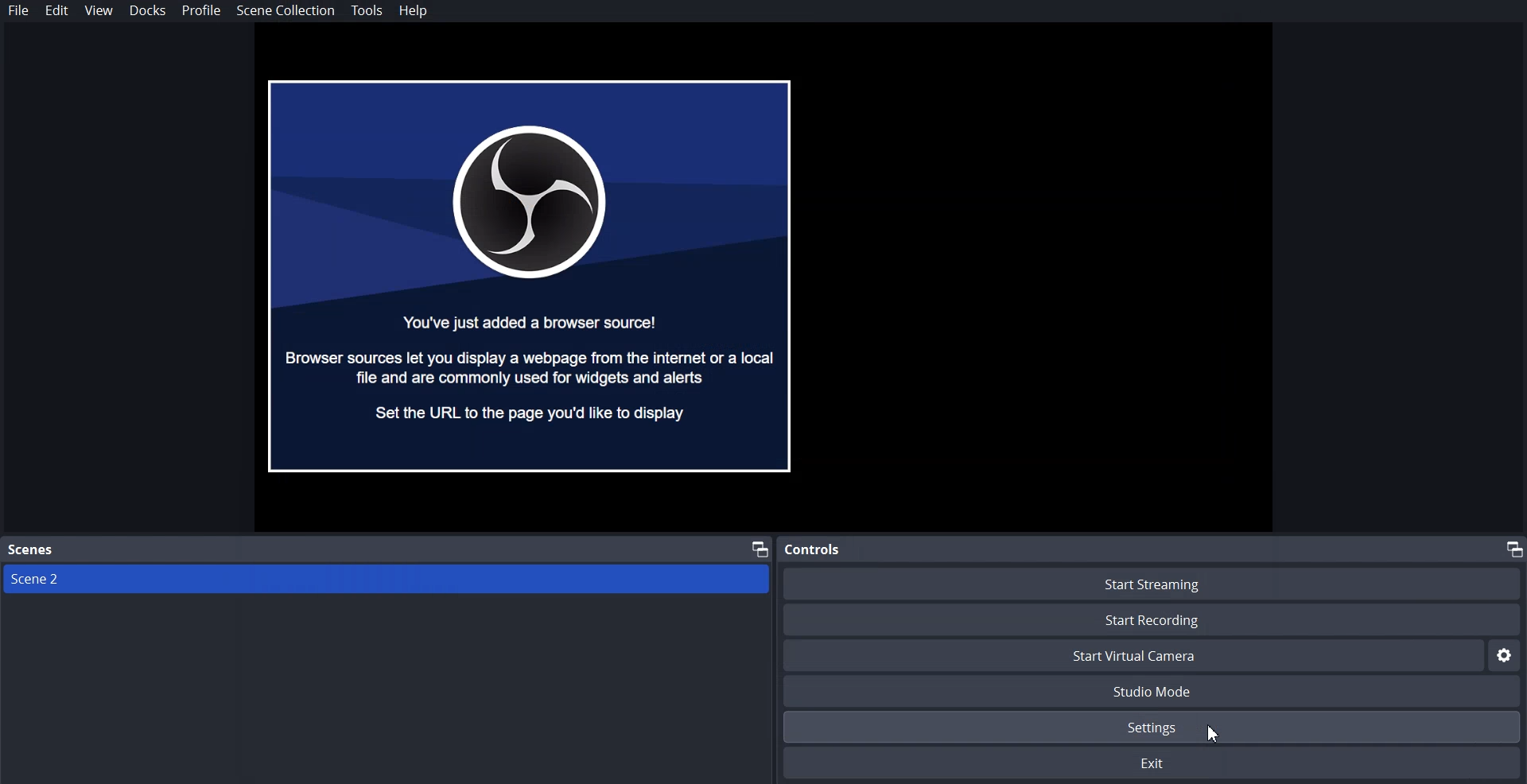  What do you see at coordinates (531, 275) in the screenshot?
I see `File Preview window` at bounding box center [531, 275].